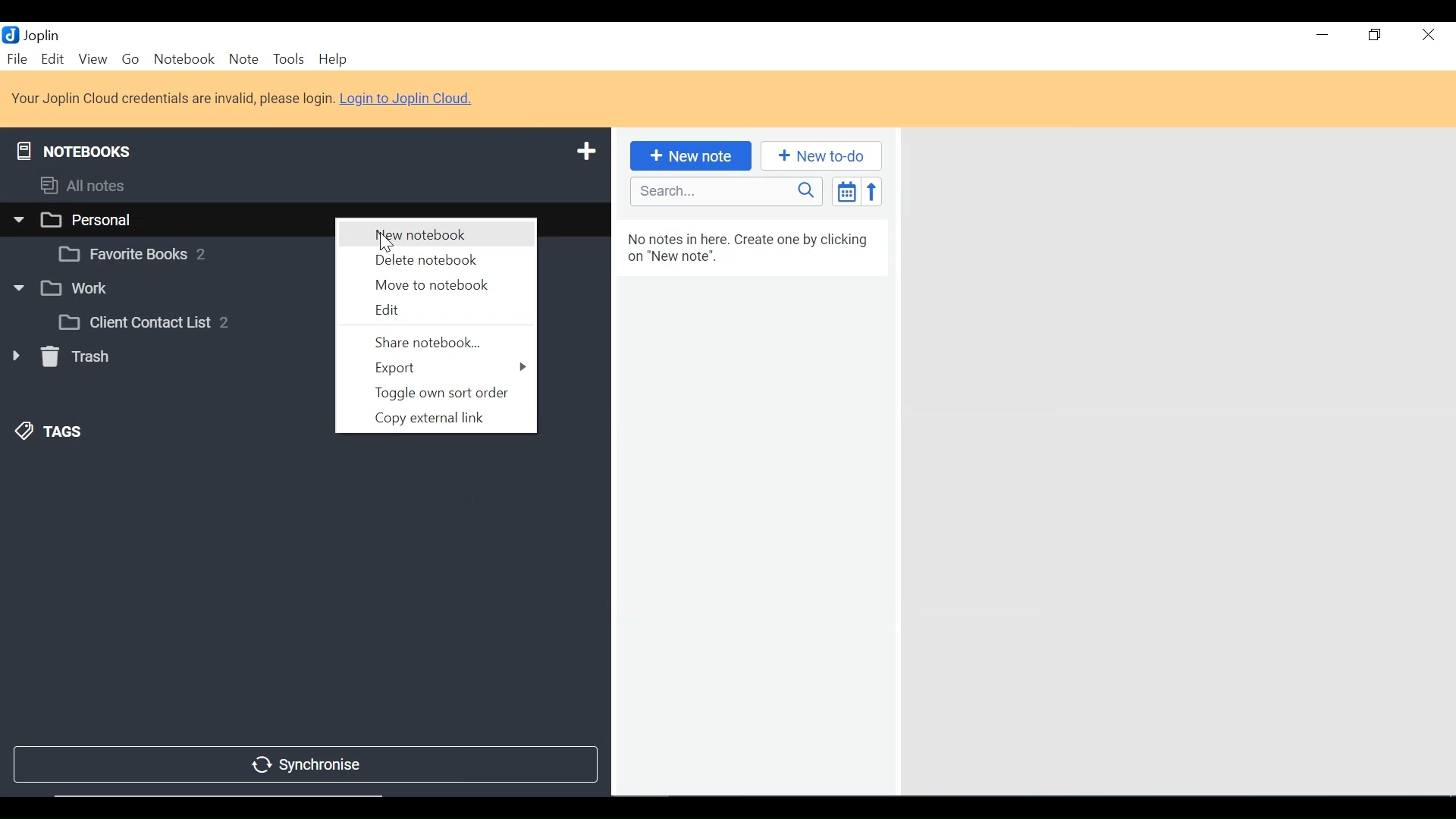  I want to click on Note, so click(243, 60).